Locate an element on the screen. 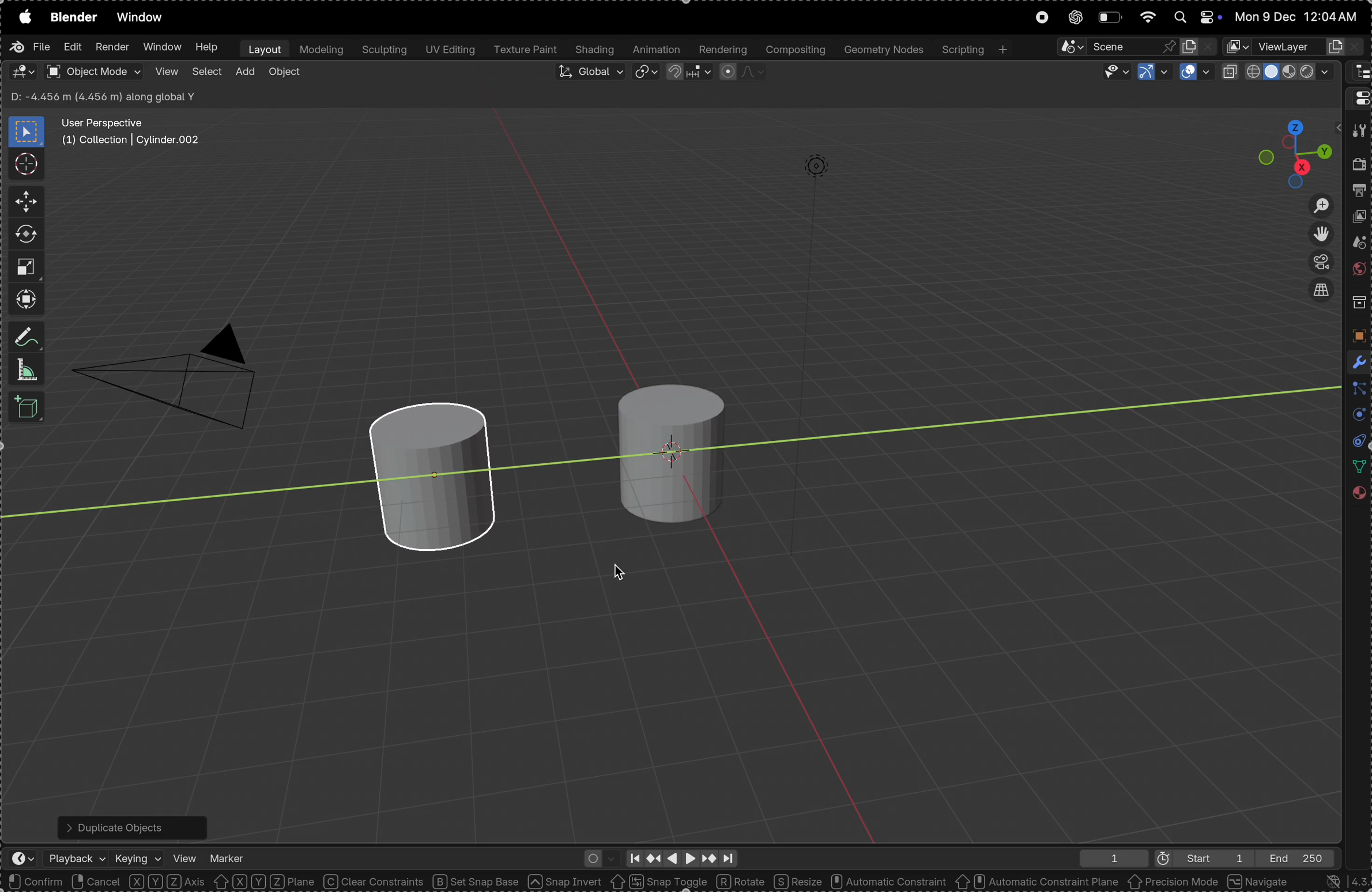  layout is located at coordinates (262, 48).